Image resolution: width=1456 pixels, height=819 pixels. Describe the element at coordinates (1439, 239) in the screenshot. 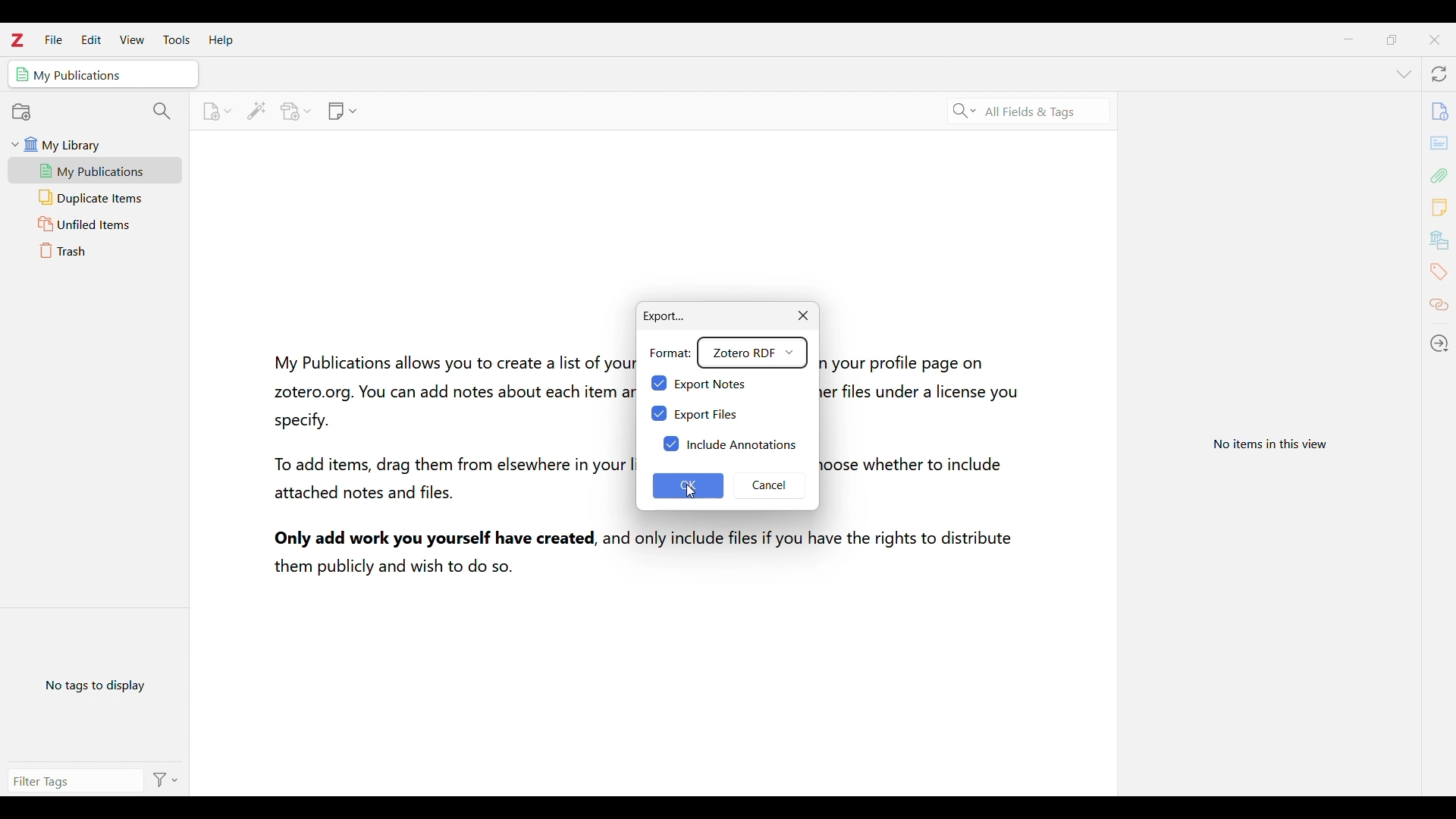

I see `Libraries and collections` at that location.